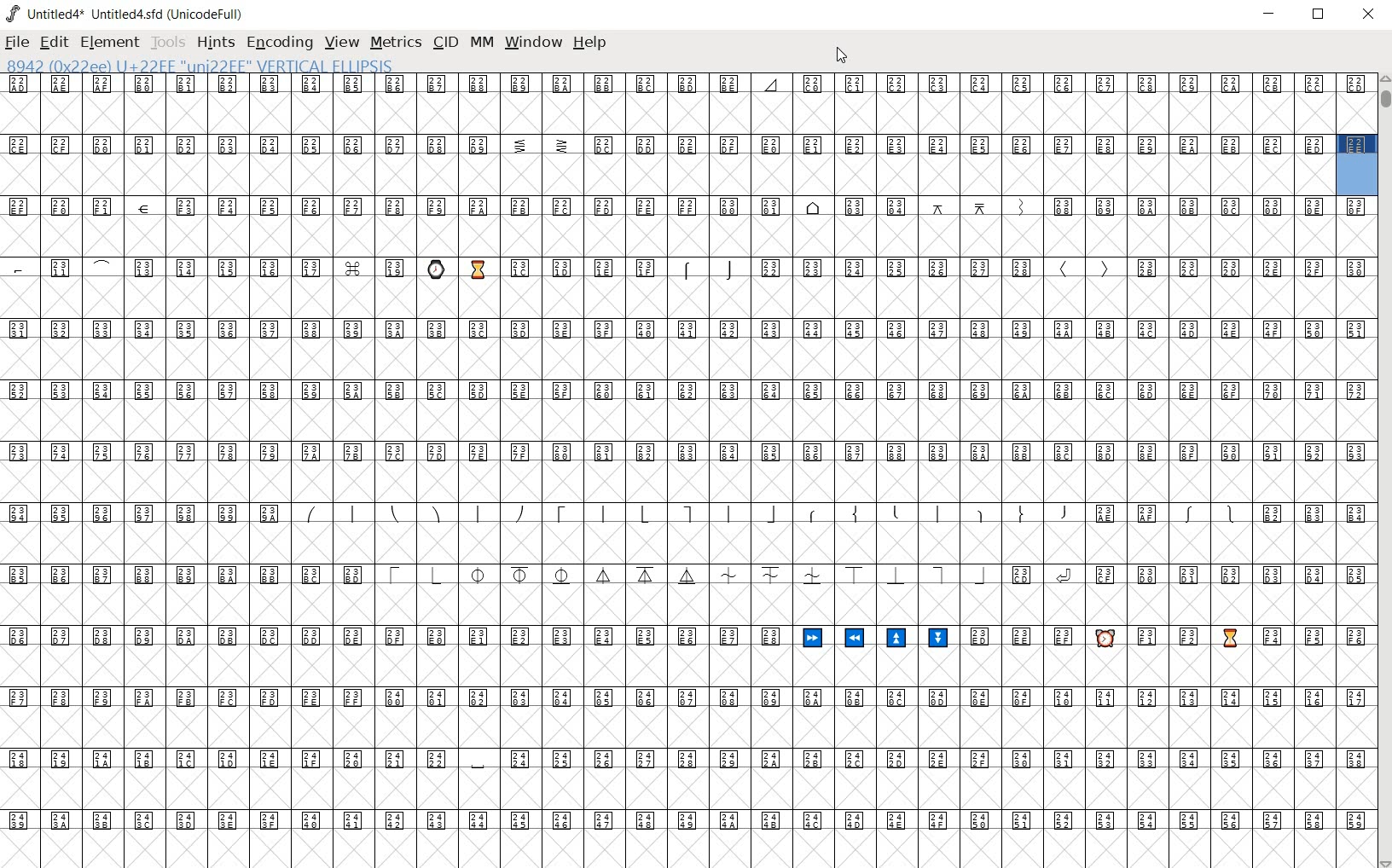 Image resolution: width=1392 pixels, height=868 pixels. I want to click on RESTORE, so click(1322, 15).